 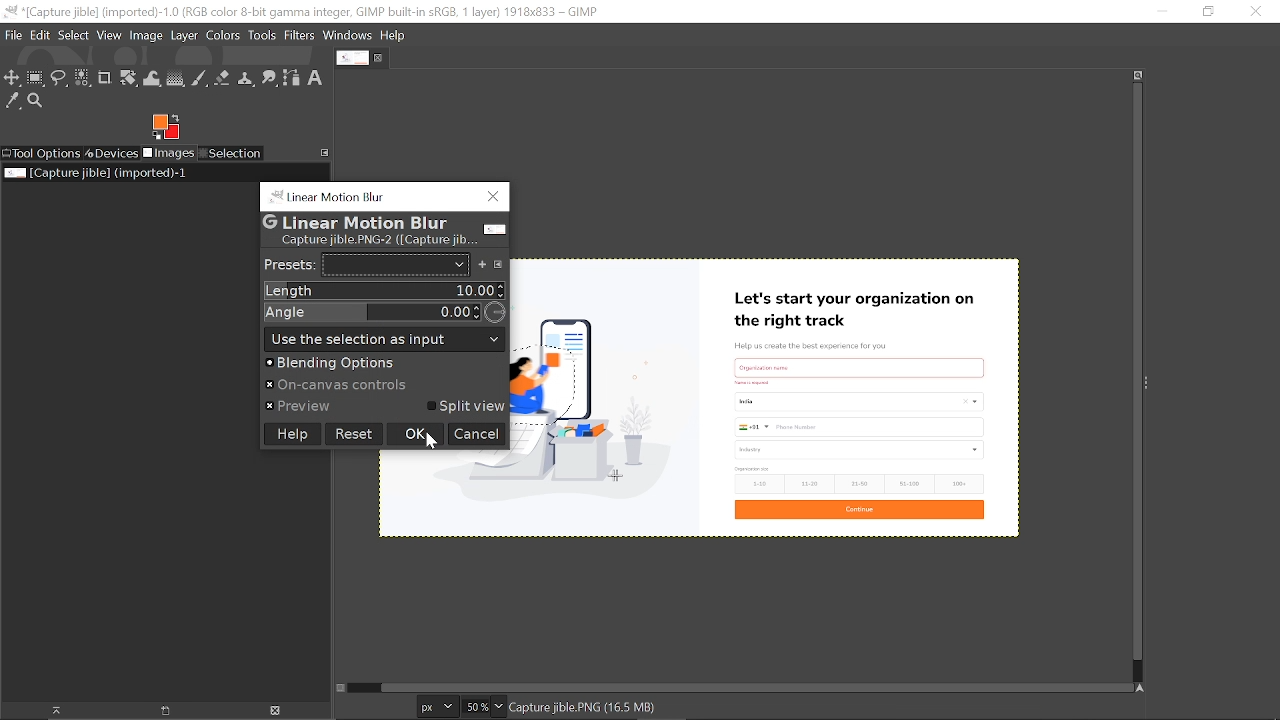 I want to click on Close tab, so click(x=381, y=58).